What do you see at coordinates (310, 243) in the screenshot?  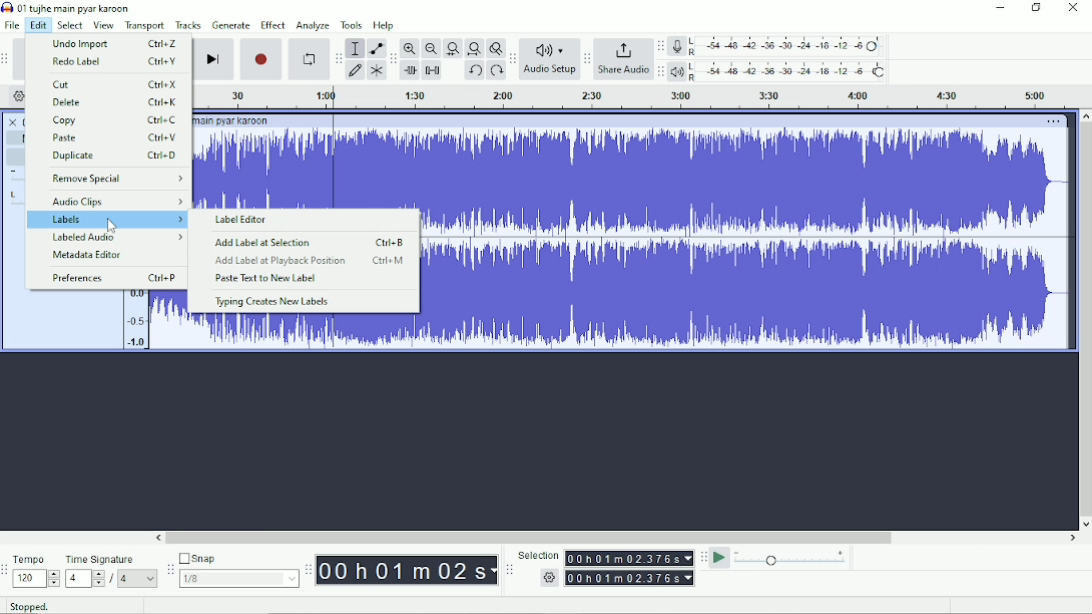 I see `Add Label at Selection` at bounding box center [310, 243].